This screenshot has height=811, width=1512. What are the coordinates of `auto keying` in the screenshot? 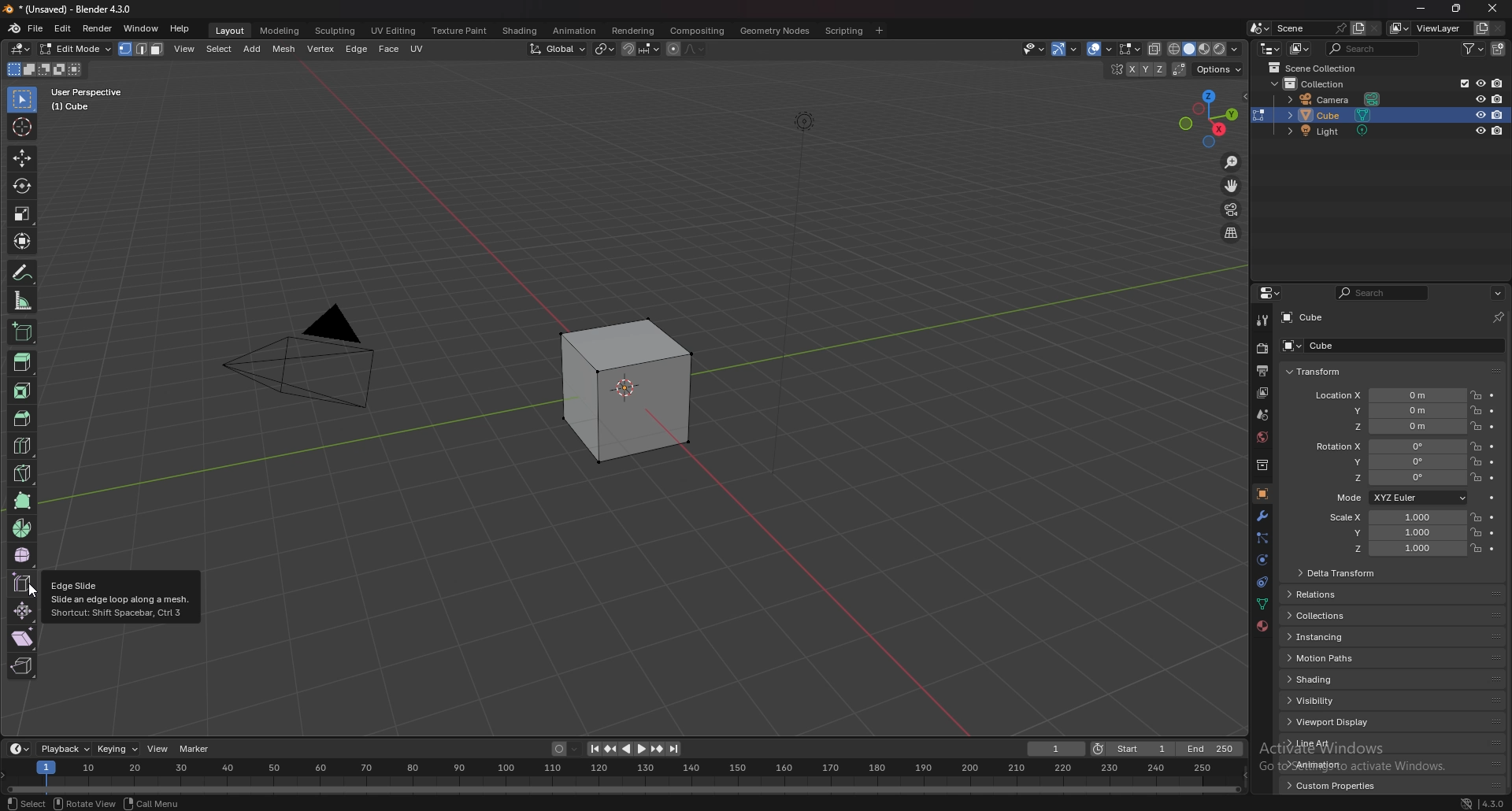 It's located at (565, 748).